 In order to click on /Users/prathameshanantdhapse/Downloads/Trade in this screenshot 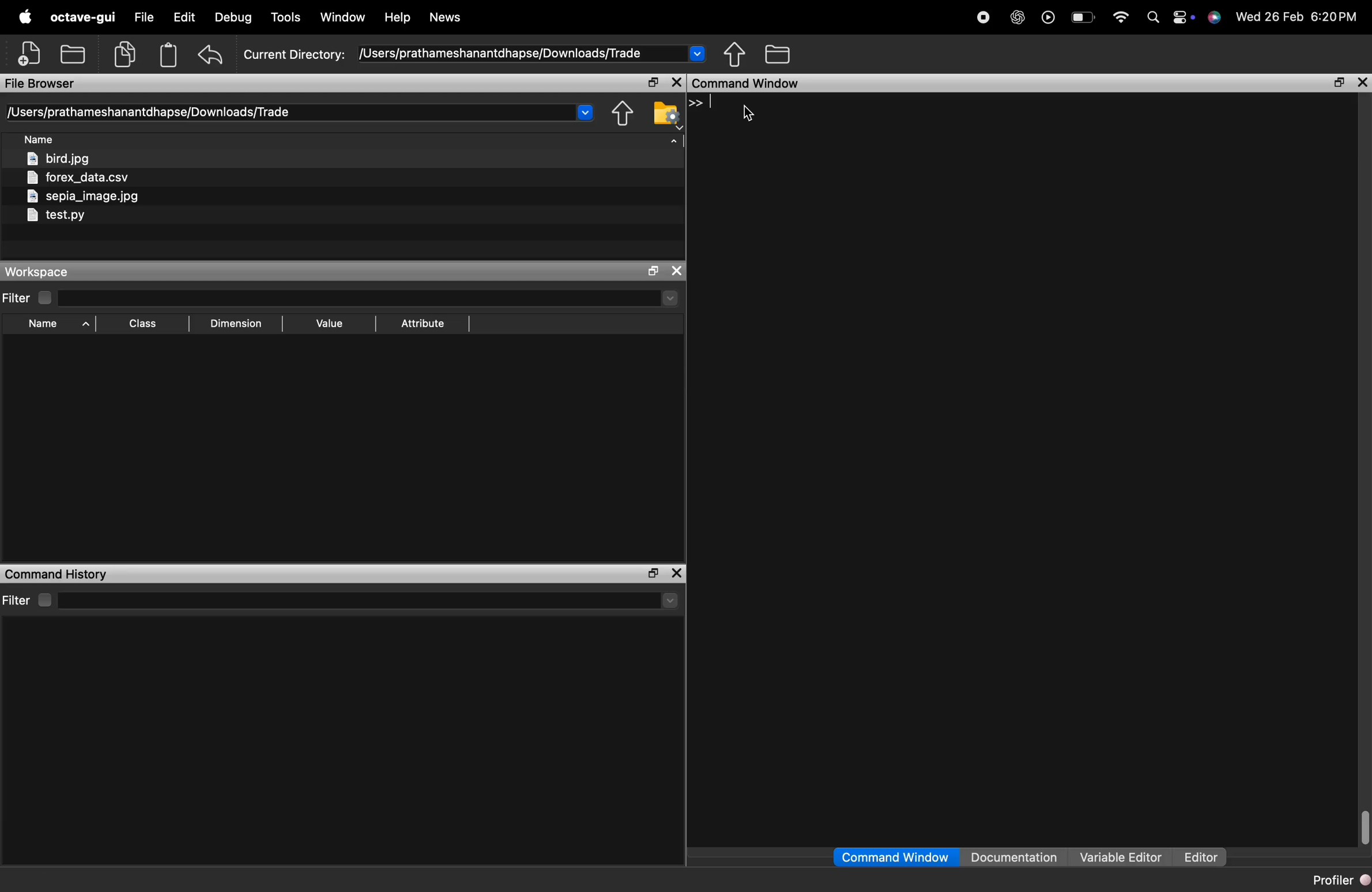, I will do `click(148, 112)`.